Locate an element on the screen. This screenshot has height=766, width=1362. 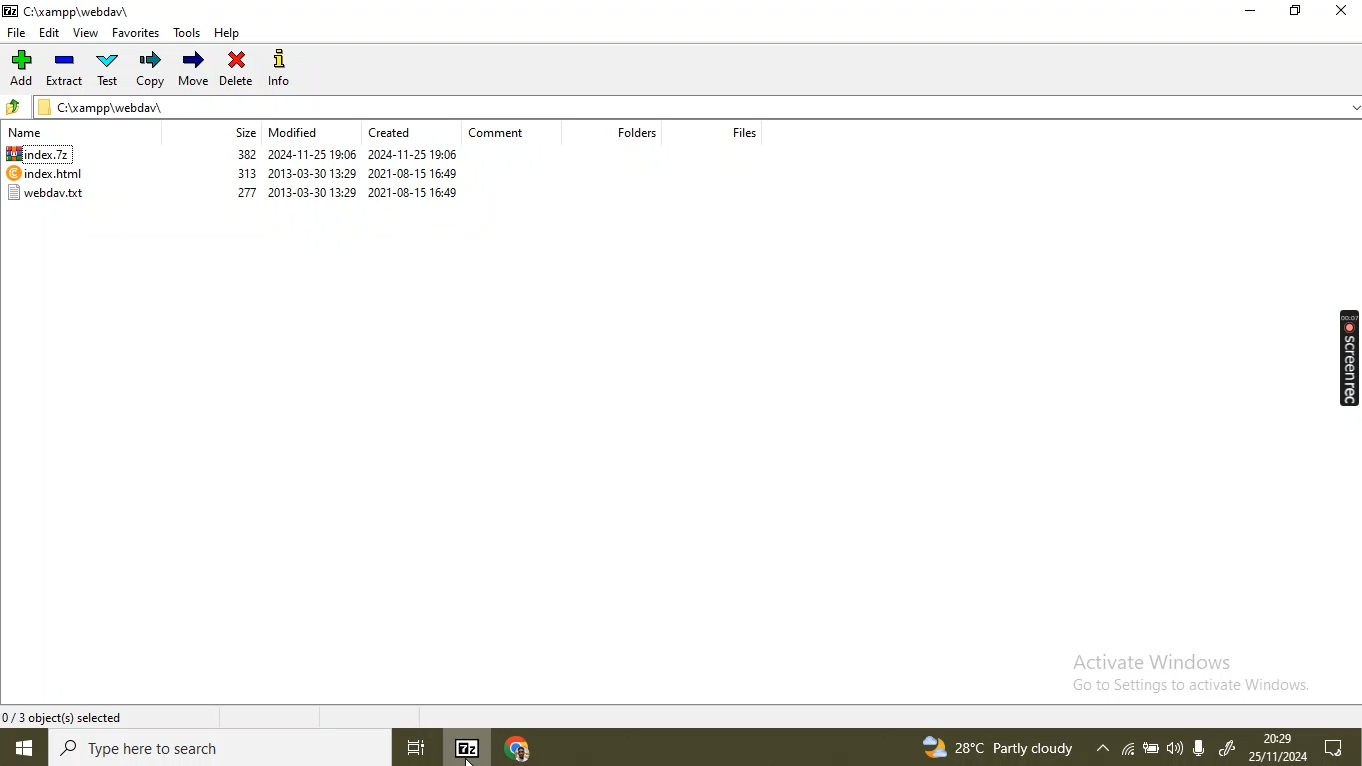
delete is located at coordinates (238, 68).